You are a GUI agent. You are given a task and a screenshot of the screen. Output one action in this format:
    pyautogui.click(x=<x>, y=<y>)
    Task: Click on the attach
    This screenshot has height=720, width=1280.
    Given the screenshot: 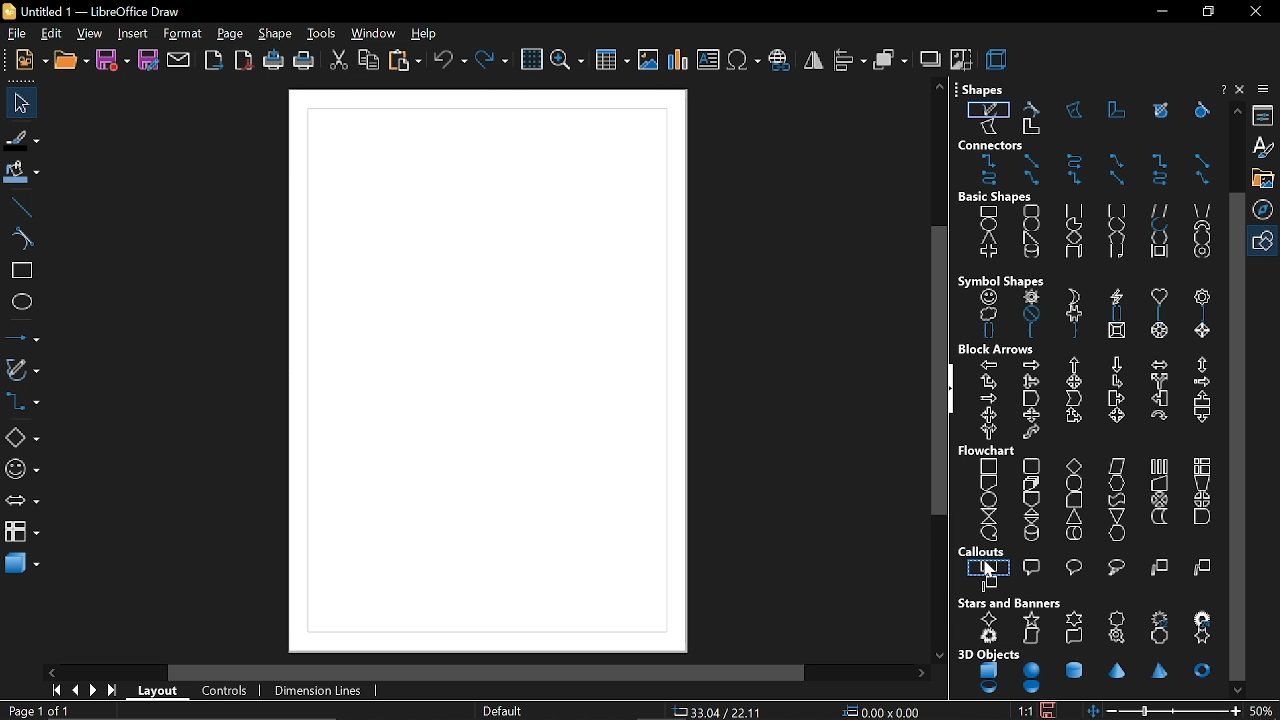 What is the action you would take?
    pyautogui.click(x=179, y=62)
    